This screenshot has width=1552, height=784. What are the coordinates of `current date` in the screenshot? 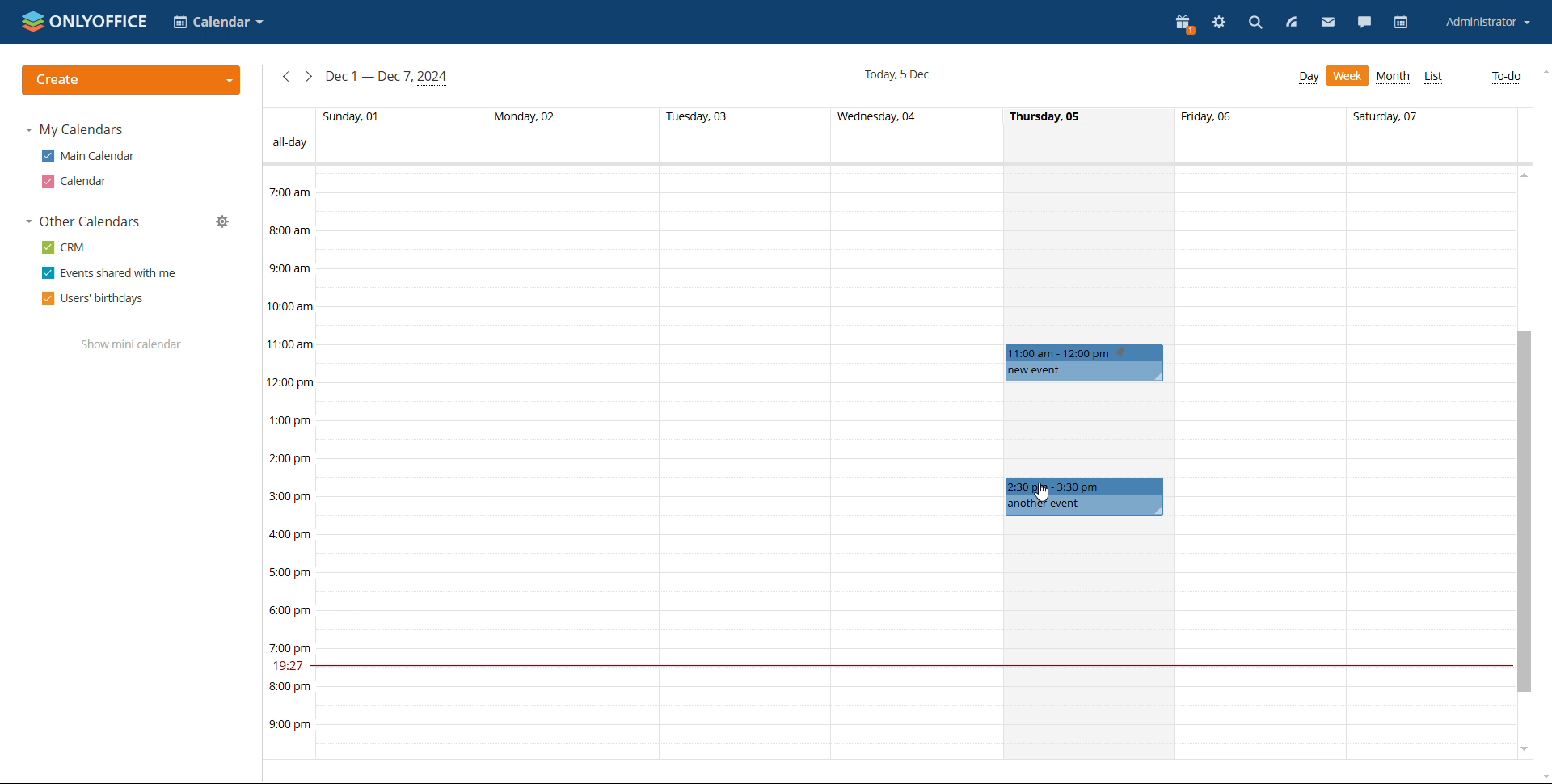 It's located at (897, 74).